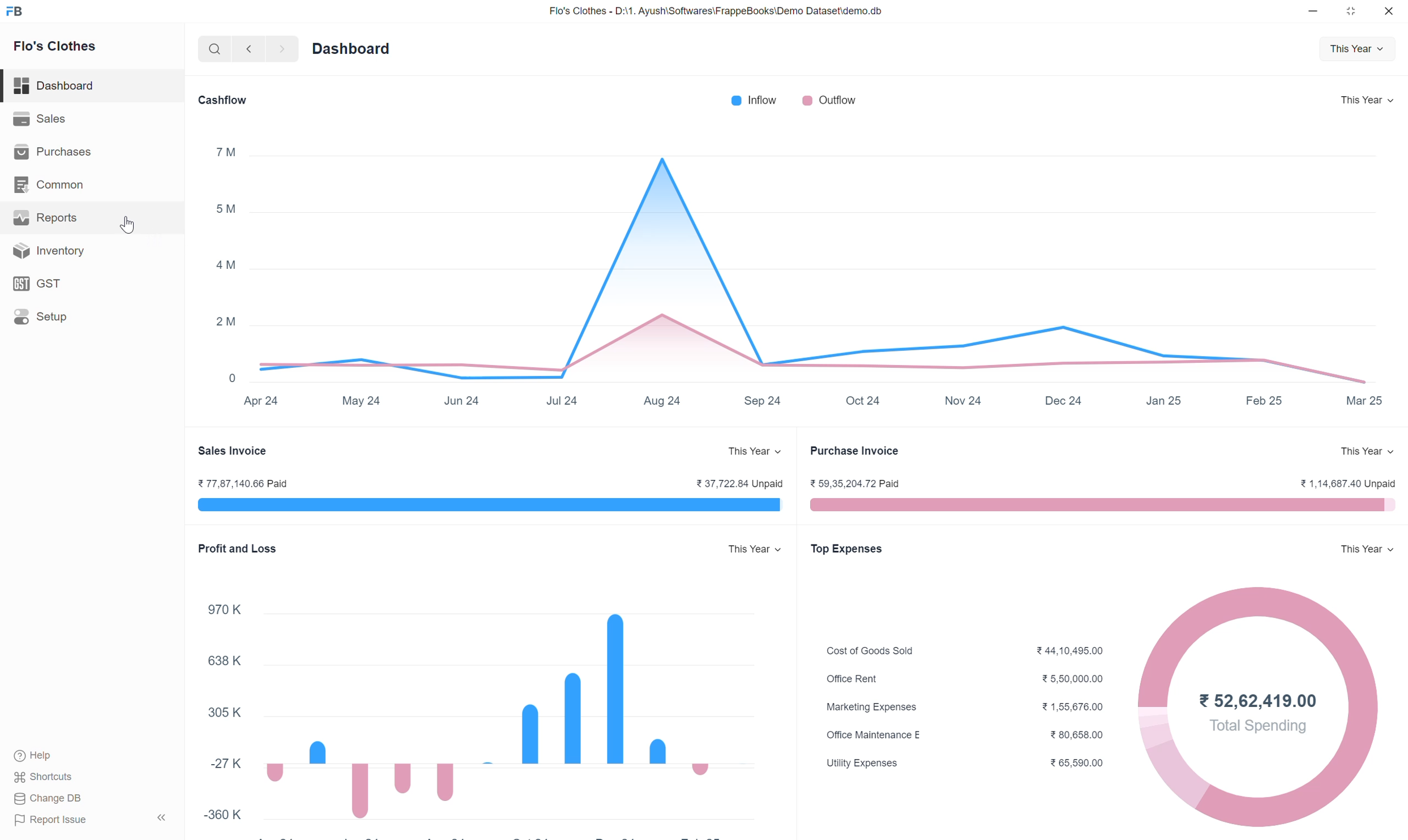  I want to click on Purchases, so click(62, 153).